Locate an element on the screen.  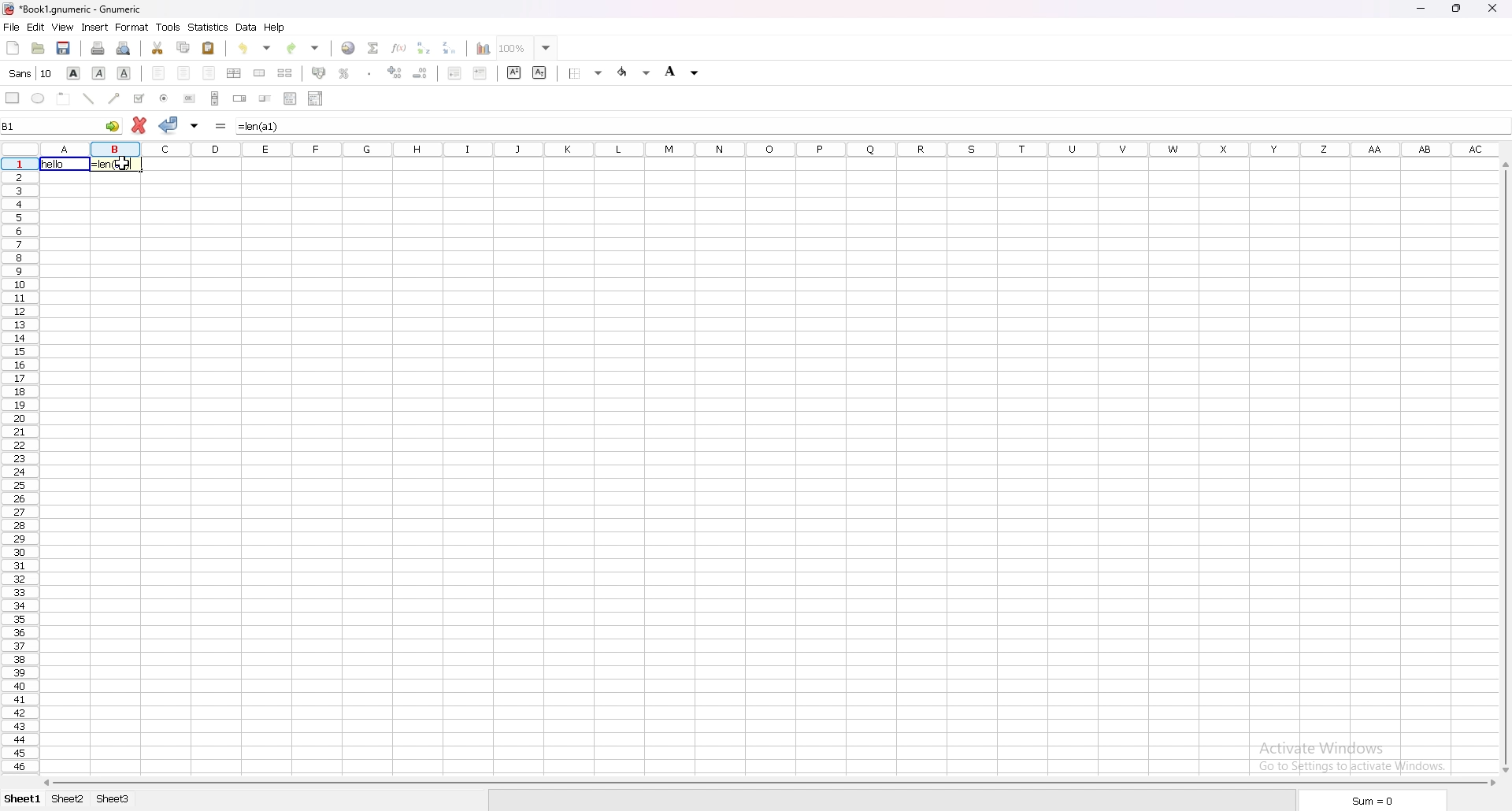
redo is located at coordinates (306, 46).